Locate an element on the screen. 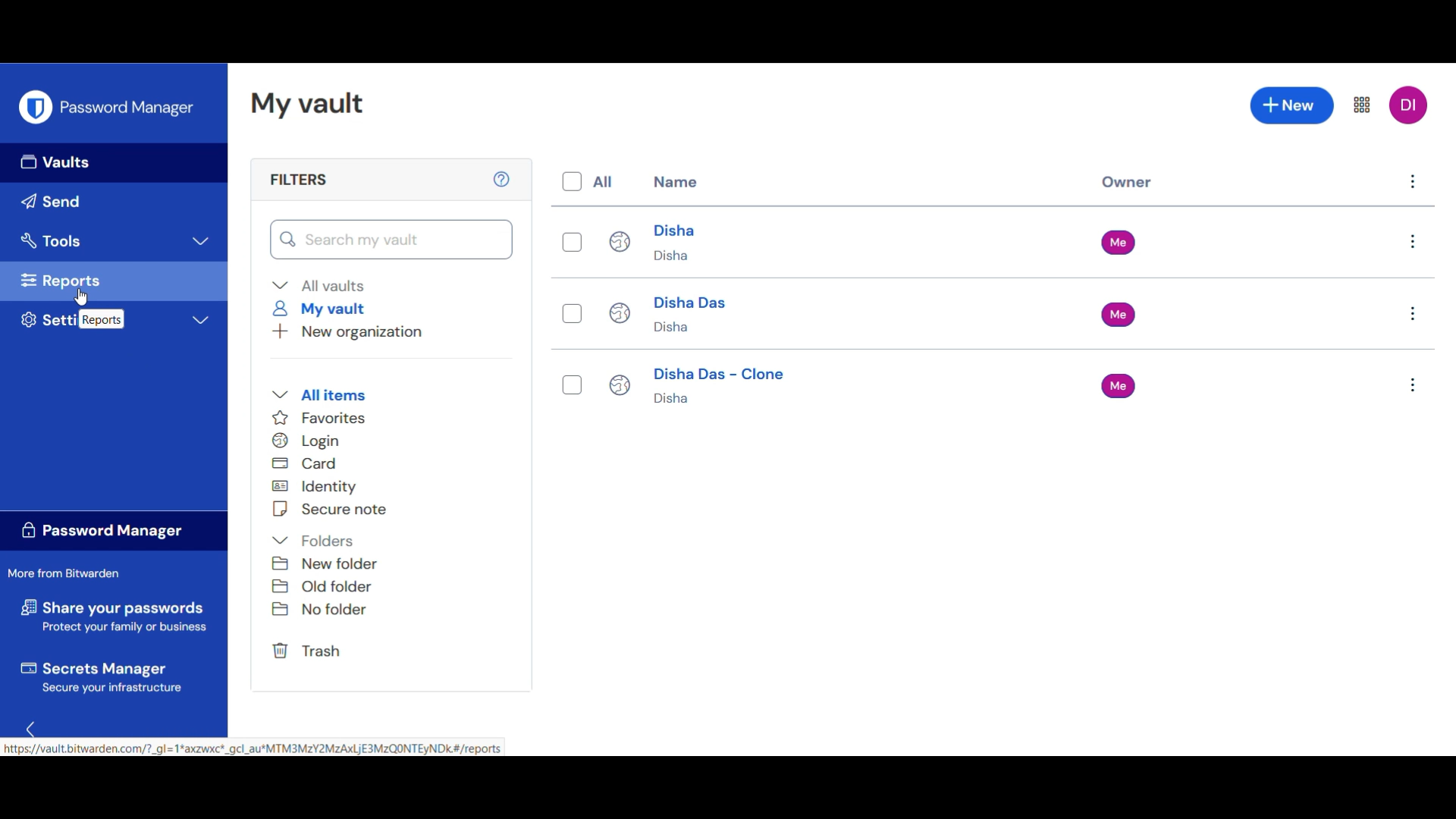 This screenshot has height=819, width=1456. disha login entry is located at coordinates (730, 240).